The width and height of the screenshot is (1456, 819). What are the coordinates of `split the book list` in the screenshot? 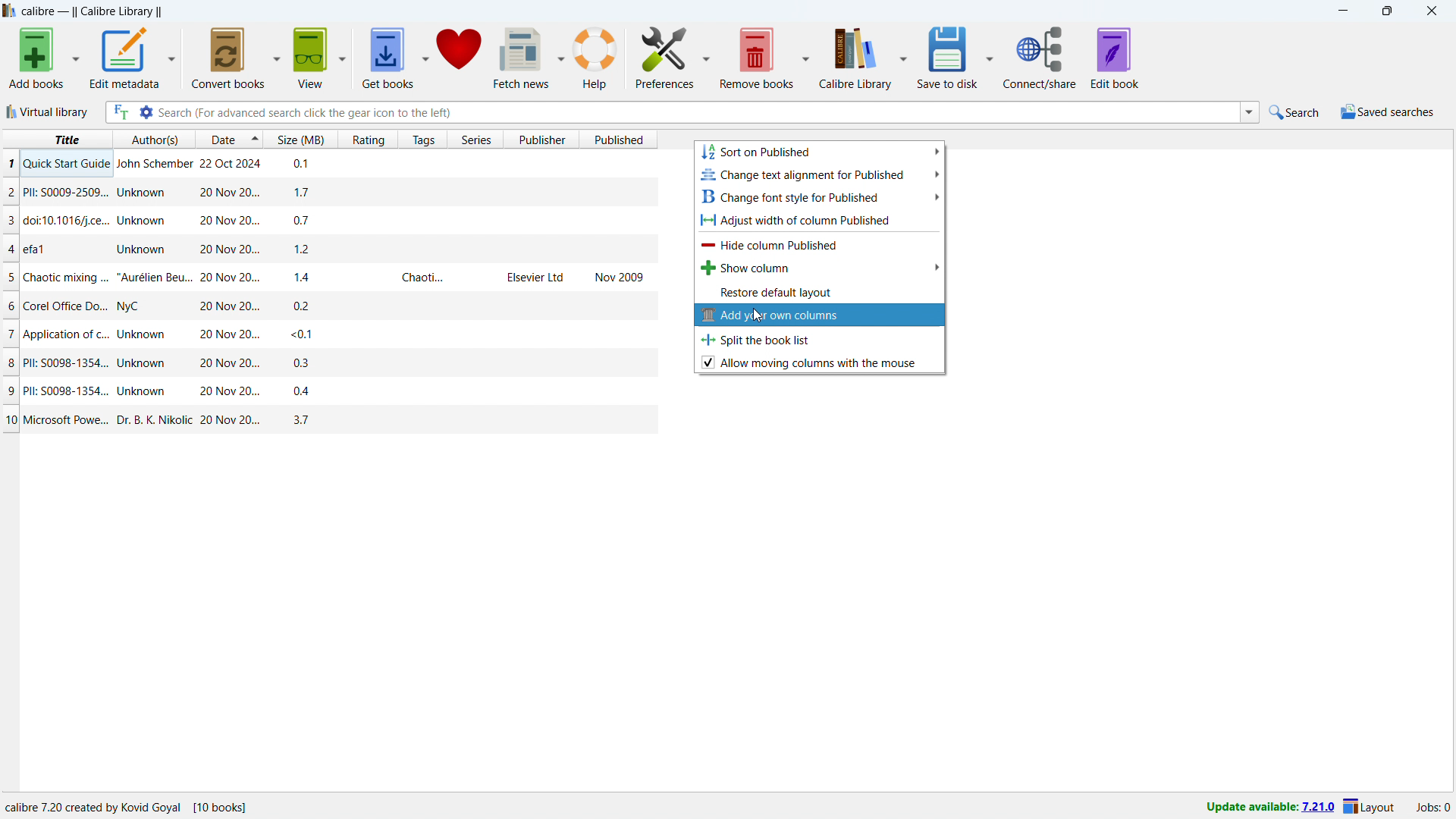 It's located at (820, 338).